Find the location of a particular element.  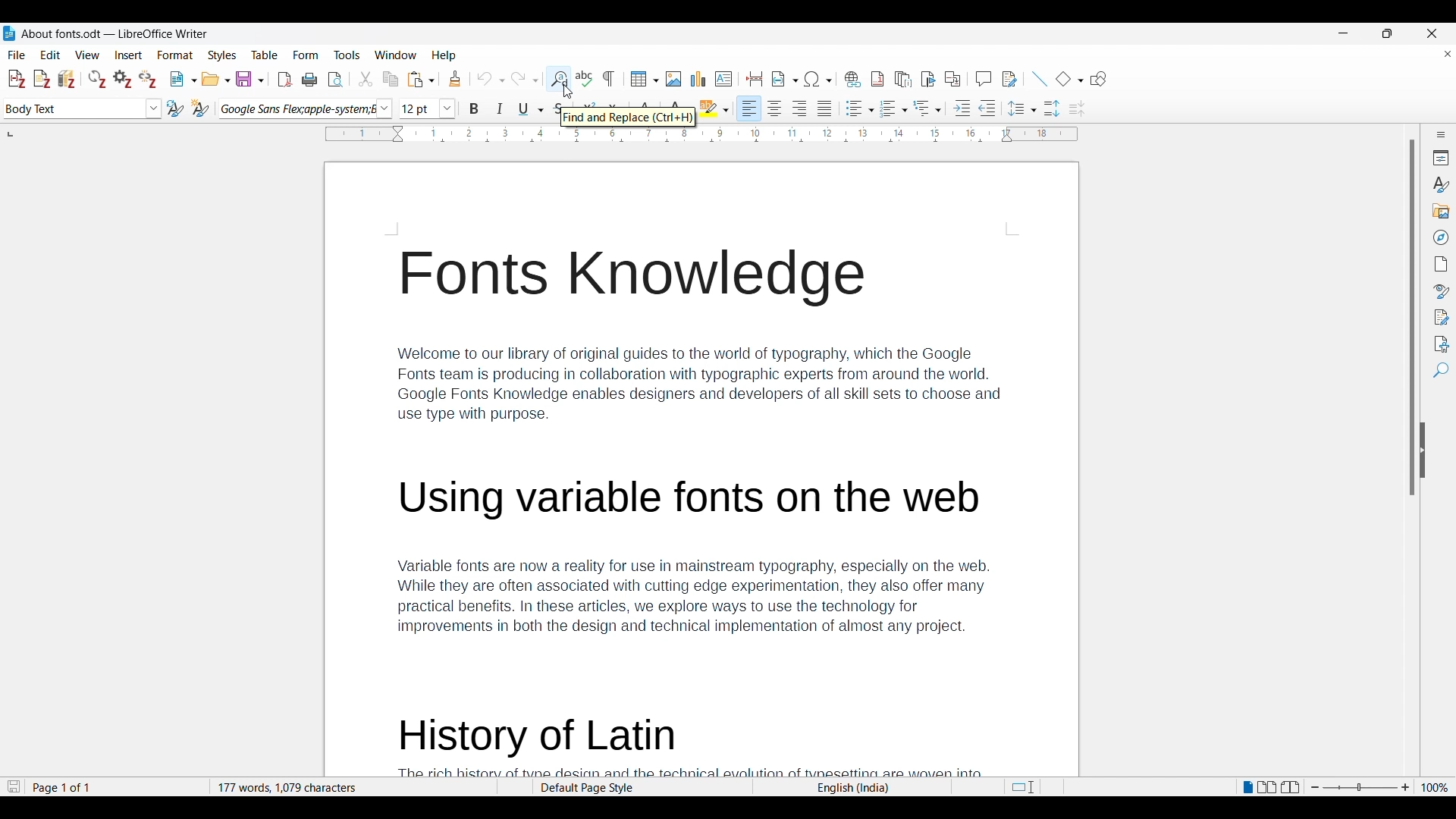

Table menu is located at coordinates (265, 55).